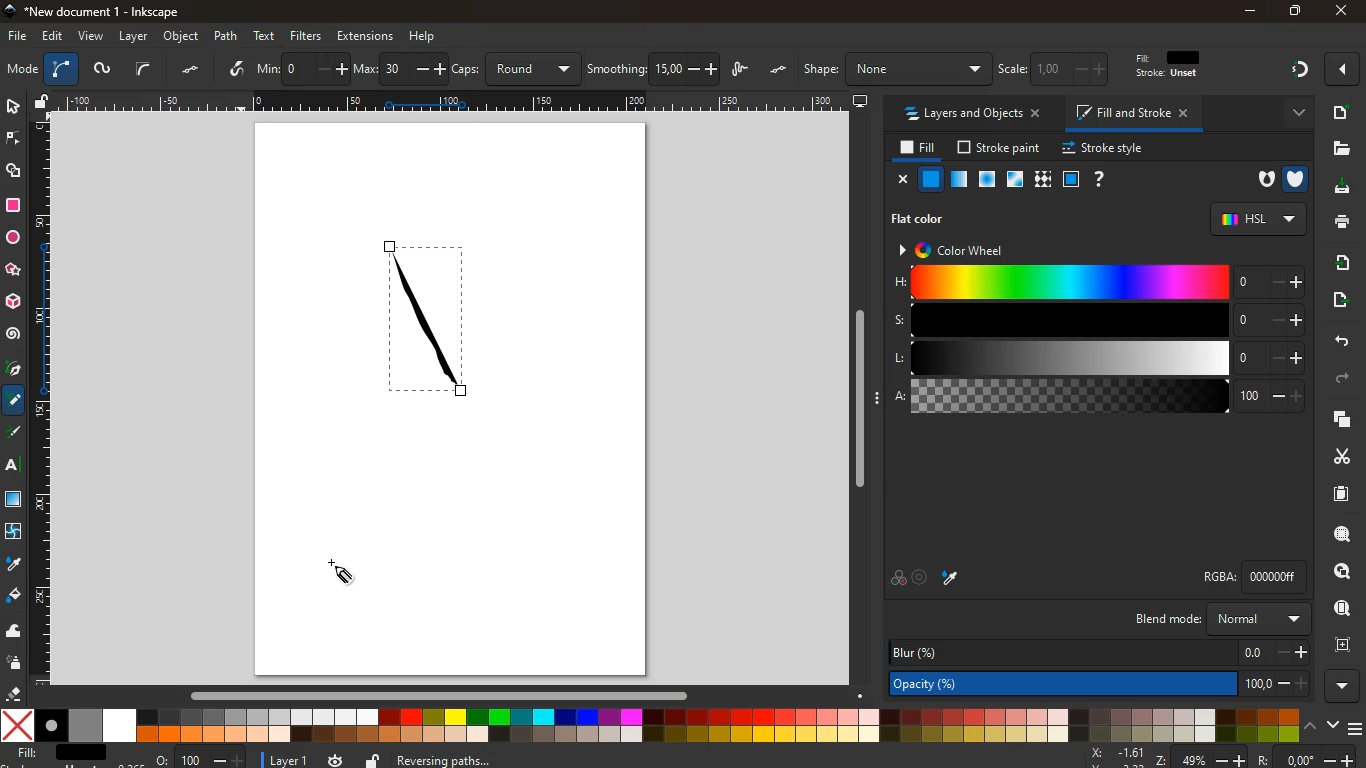 The image size is (1366, 768). Describe the element at coordinates (429, 695) in the screenshot. I see `Horizontal scroll bar` at that location.